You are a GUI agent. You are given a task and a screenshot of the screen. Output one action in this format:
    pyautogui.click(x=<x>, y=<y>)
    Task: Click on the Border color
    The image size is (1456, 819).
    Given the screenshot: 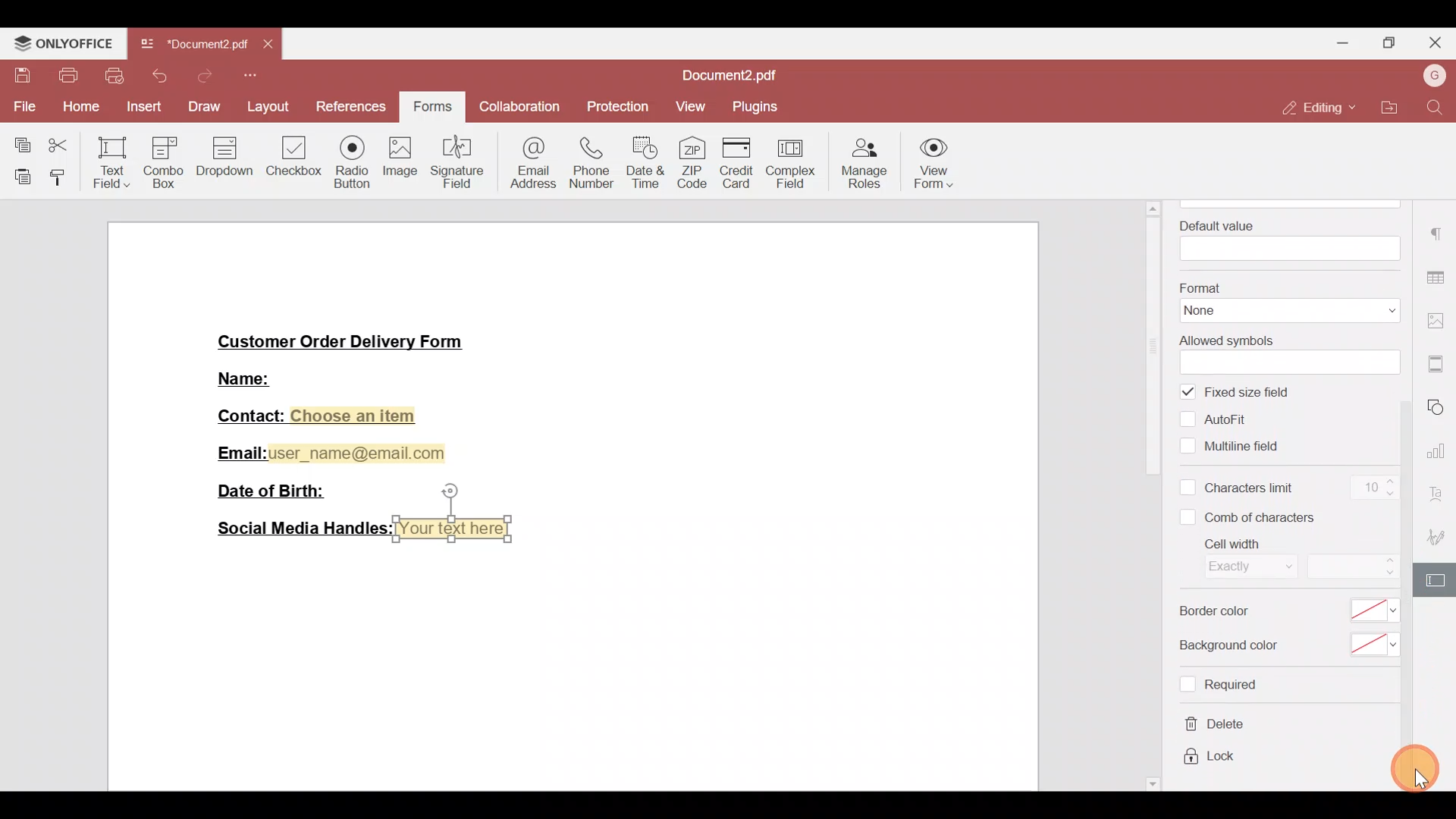 What is the action you would take?
    pyautogui.click(x=1285, y=614)
    